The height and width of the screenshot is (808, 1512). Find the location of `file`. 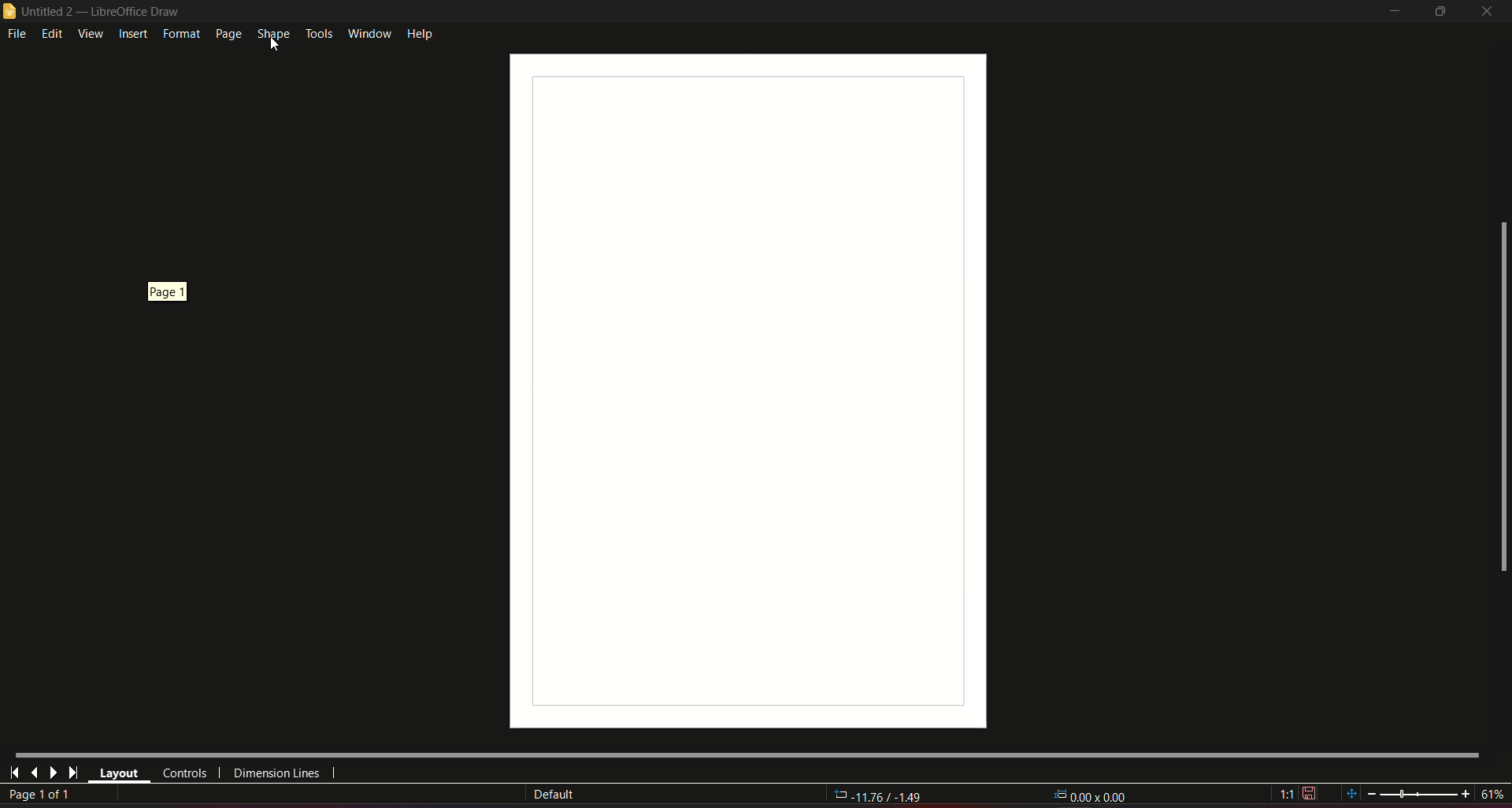

file is located at coordinates (18, 35).